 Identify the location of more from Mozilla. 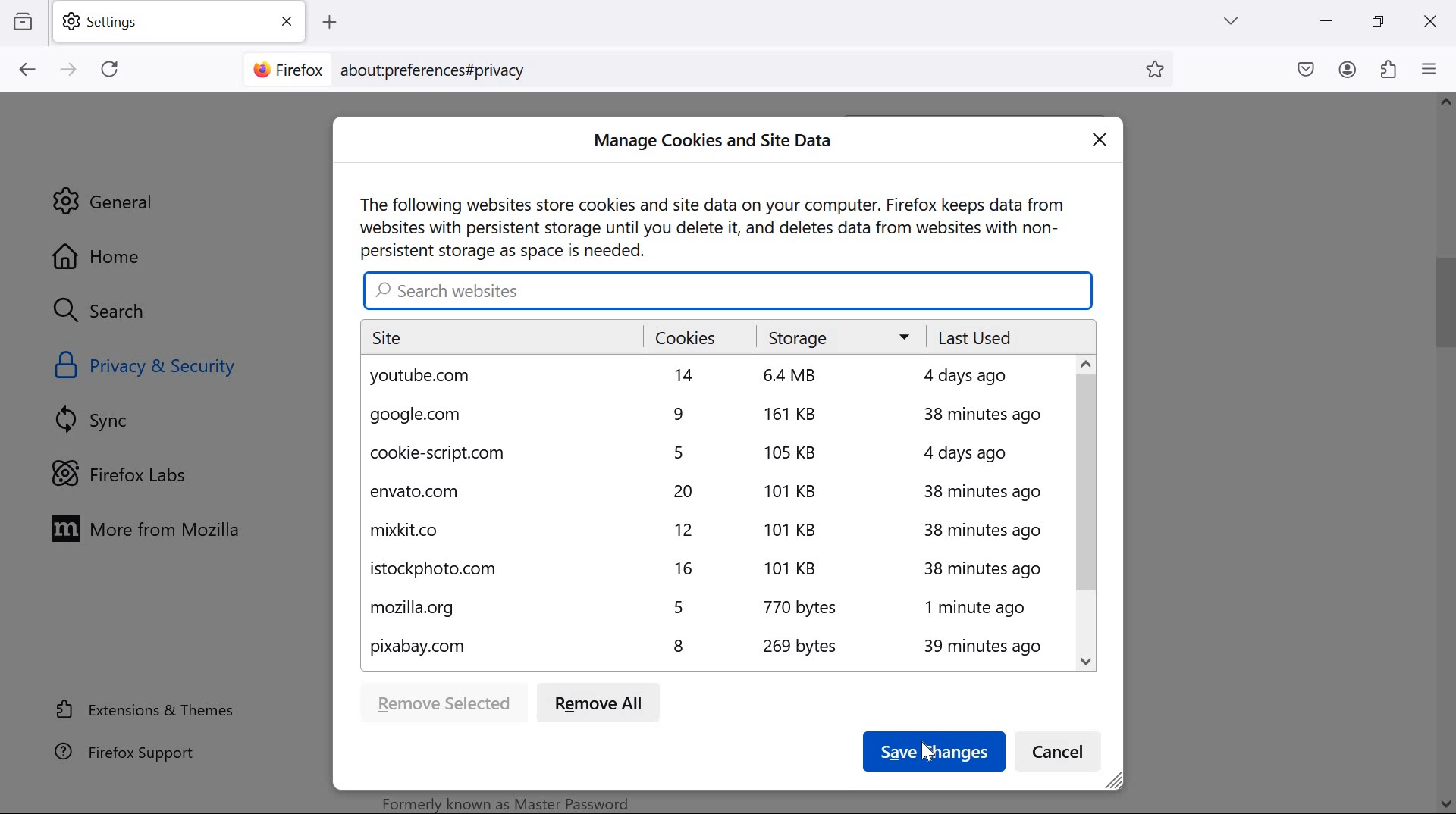
(154, 528).